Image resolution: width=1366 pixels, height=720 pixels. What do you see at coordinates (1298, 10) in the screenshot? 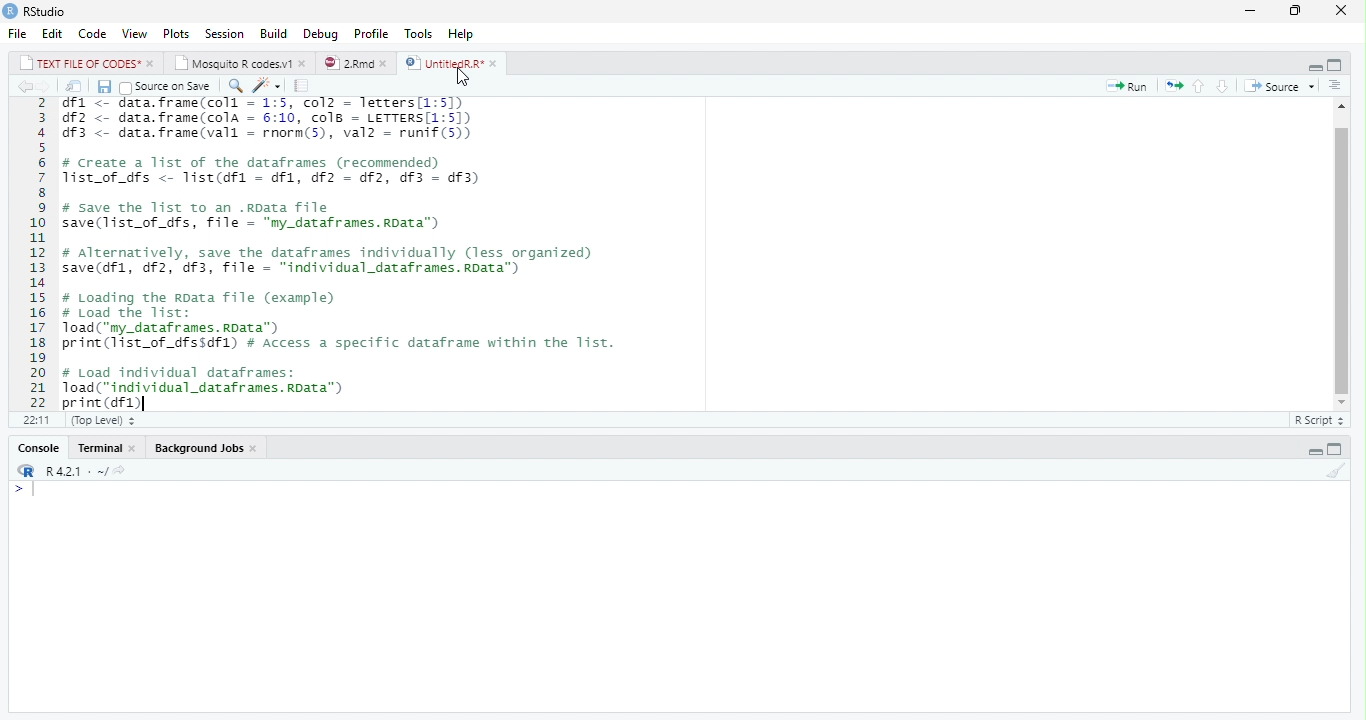
I see `Maximize` at bounding box center [1298, 10].